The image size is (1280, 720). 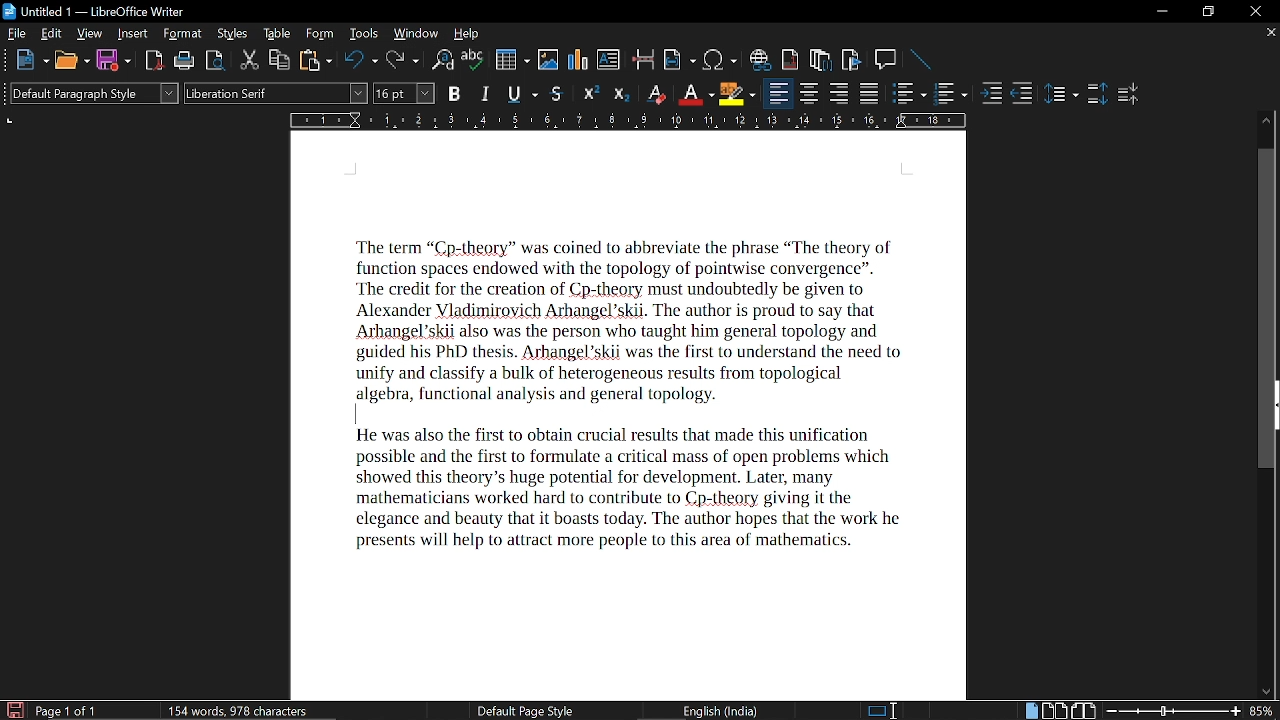 I want to click on Edit, so click(x=50, y=35).